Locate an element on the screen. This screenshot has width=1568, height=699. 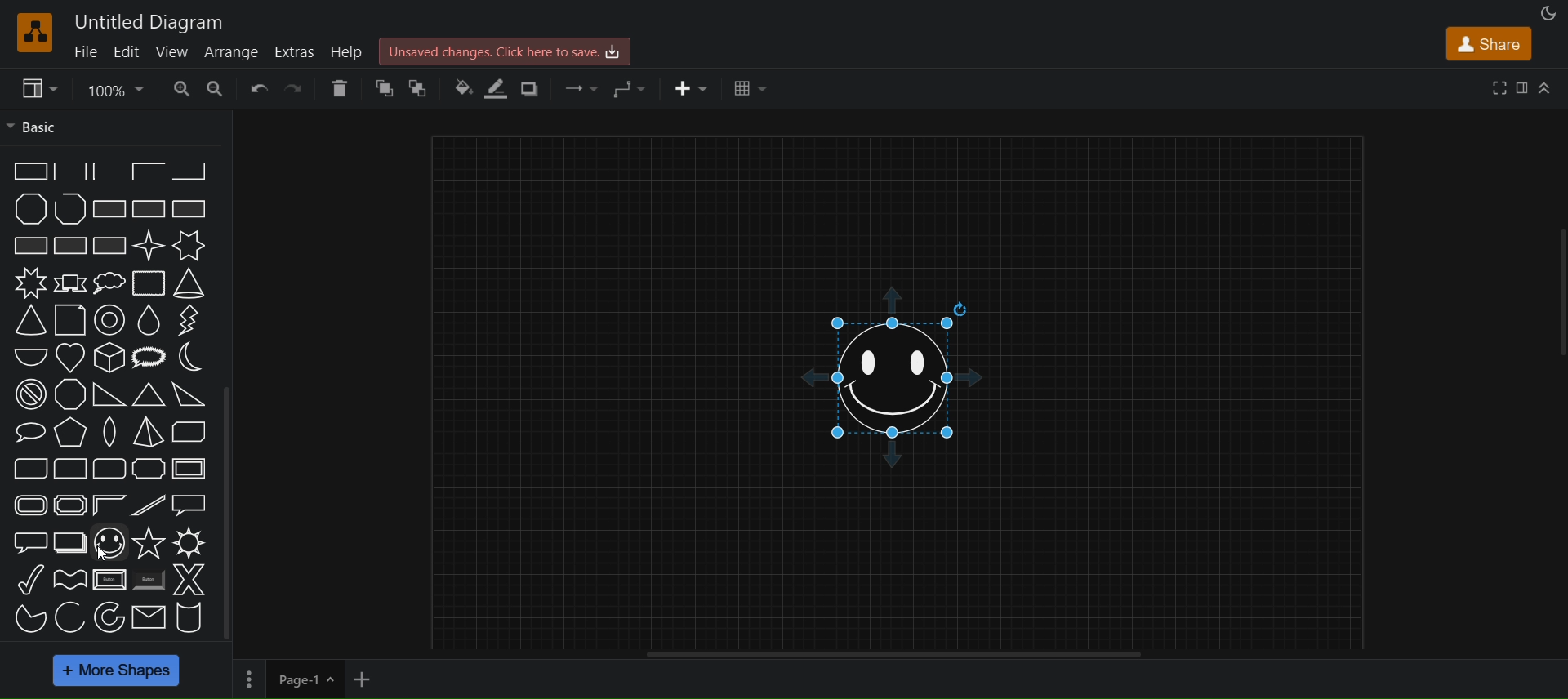
edit is located at coordinates (126, 51).